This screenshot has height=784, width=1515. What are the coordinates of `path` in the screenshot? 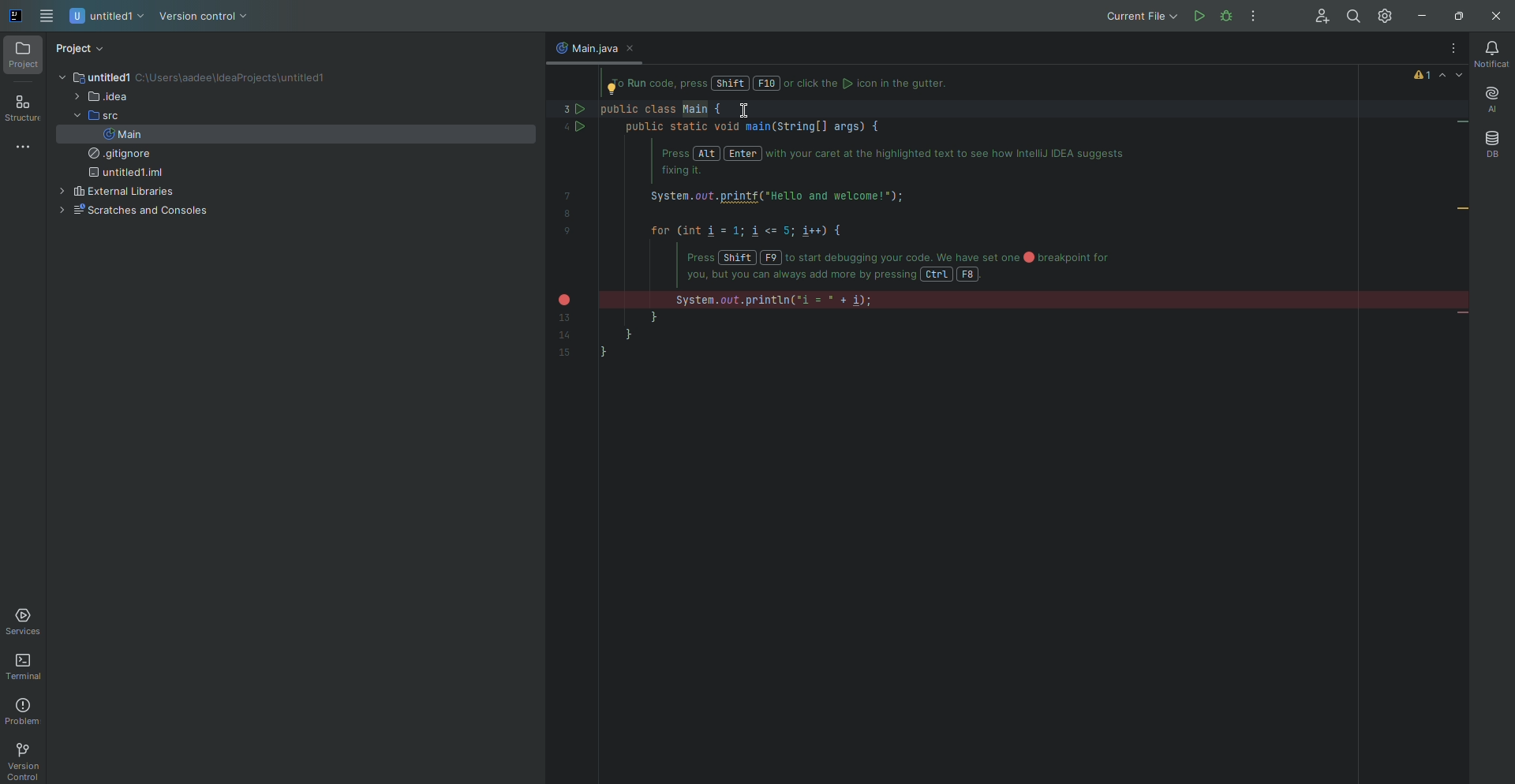 It's located at (235, 79).